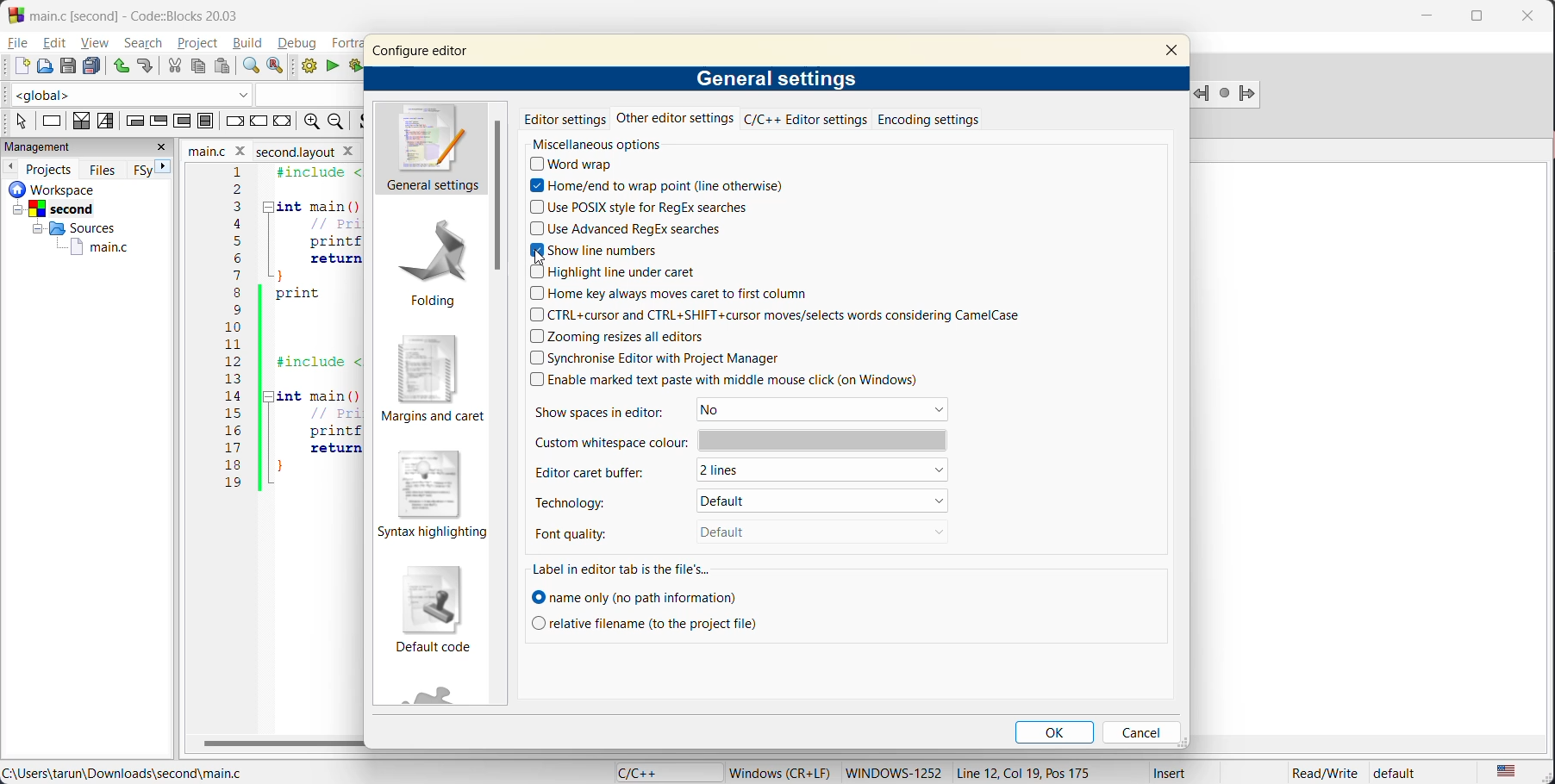 The height and width of the screenshot is (784, 1555). I want to click on synchronize editor, so click(653, 357).